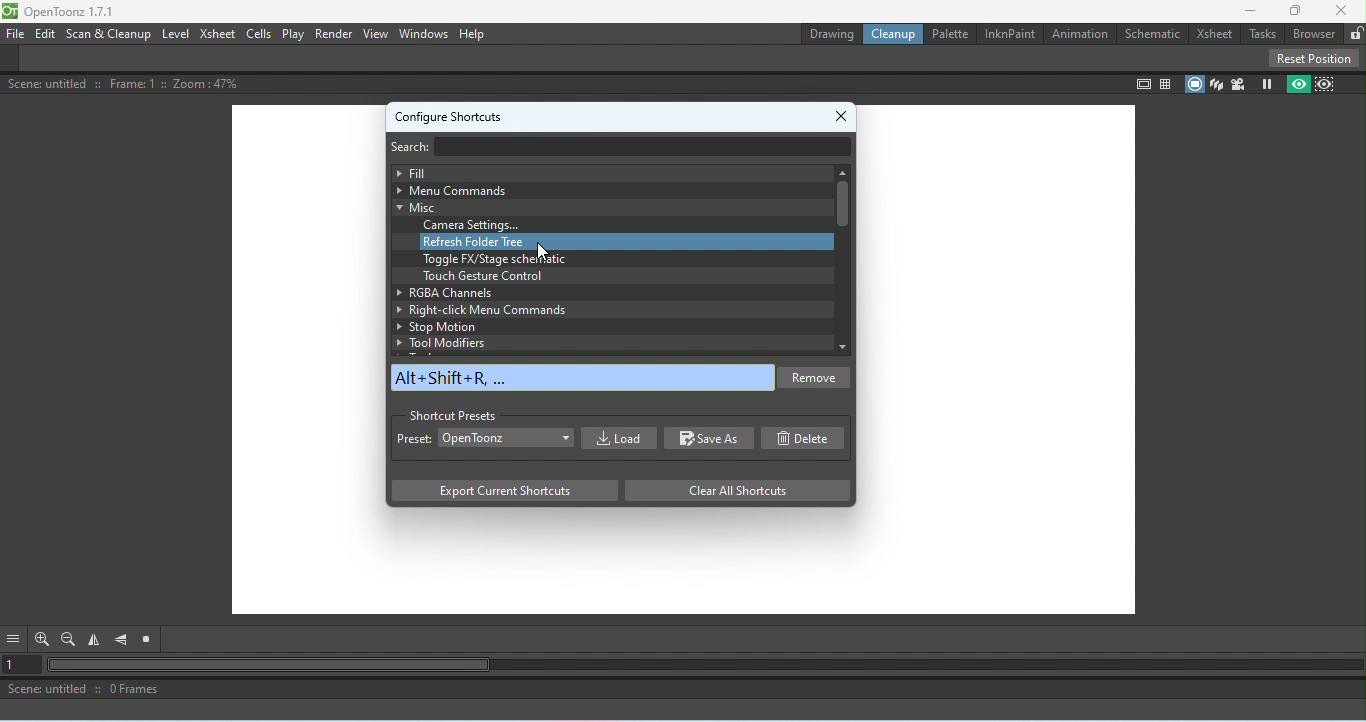  I want to click on Press shortcut, so click(583, 377).